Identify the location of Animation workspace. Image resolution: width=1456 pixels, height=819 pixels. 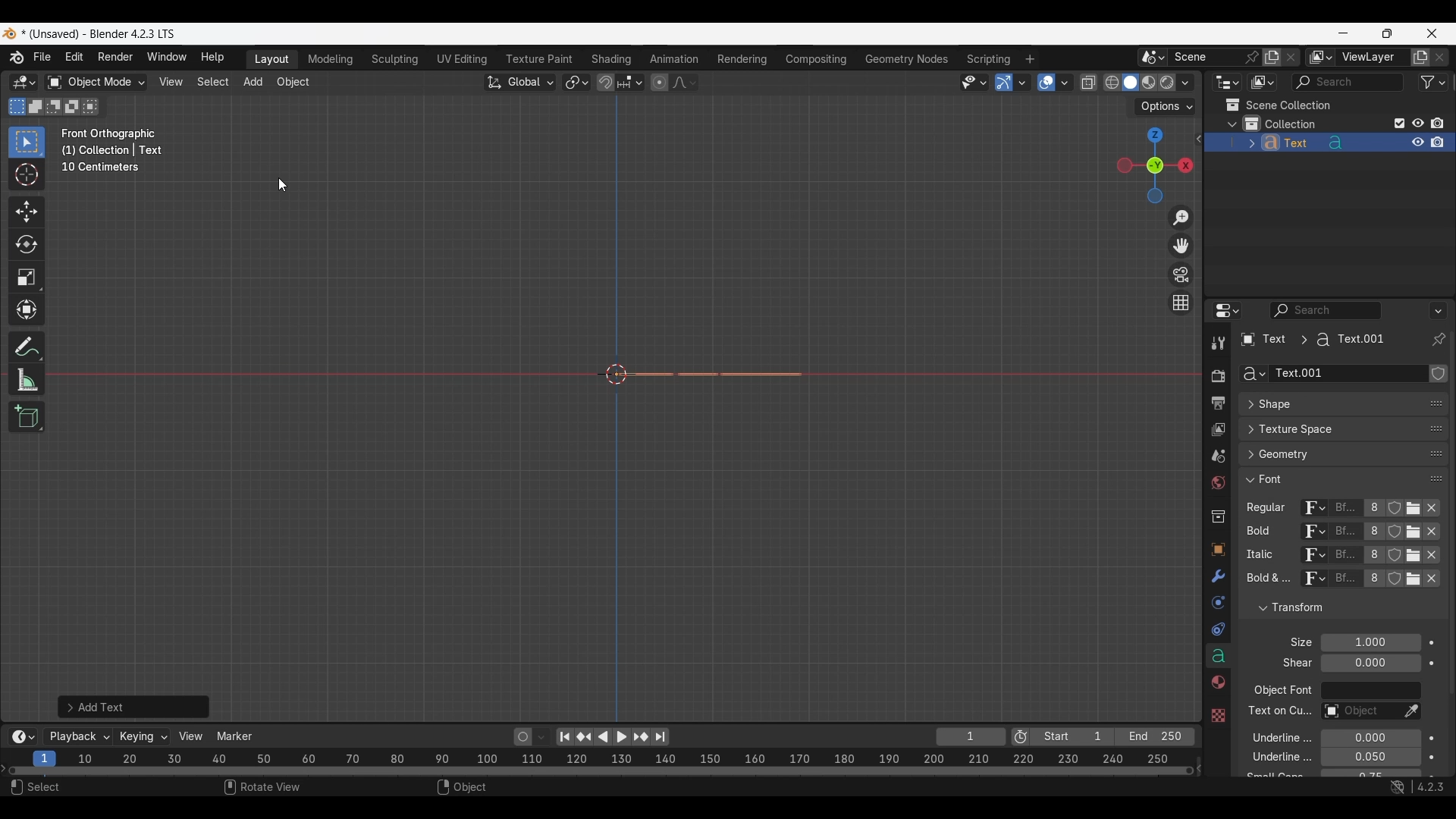
(674, 60).